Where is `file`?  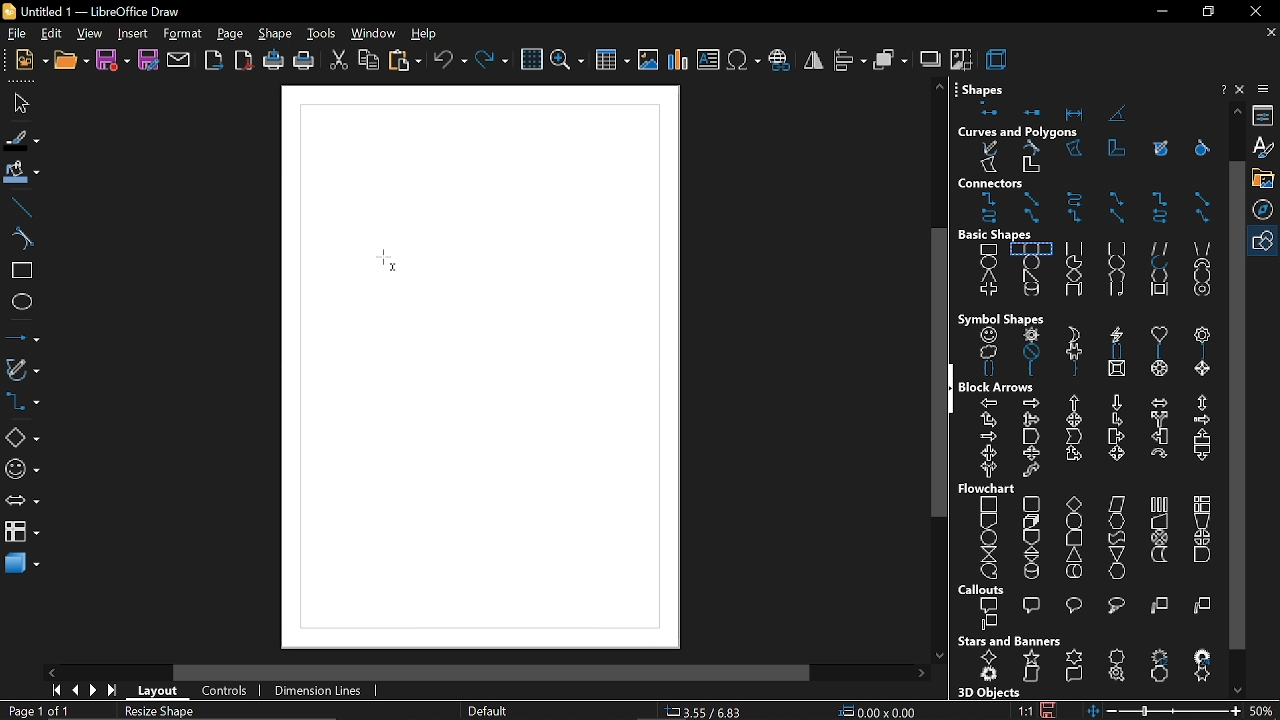
file is located at coordinates (15, 35).